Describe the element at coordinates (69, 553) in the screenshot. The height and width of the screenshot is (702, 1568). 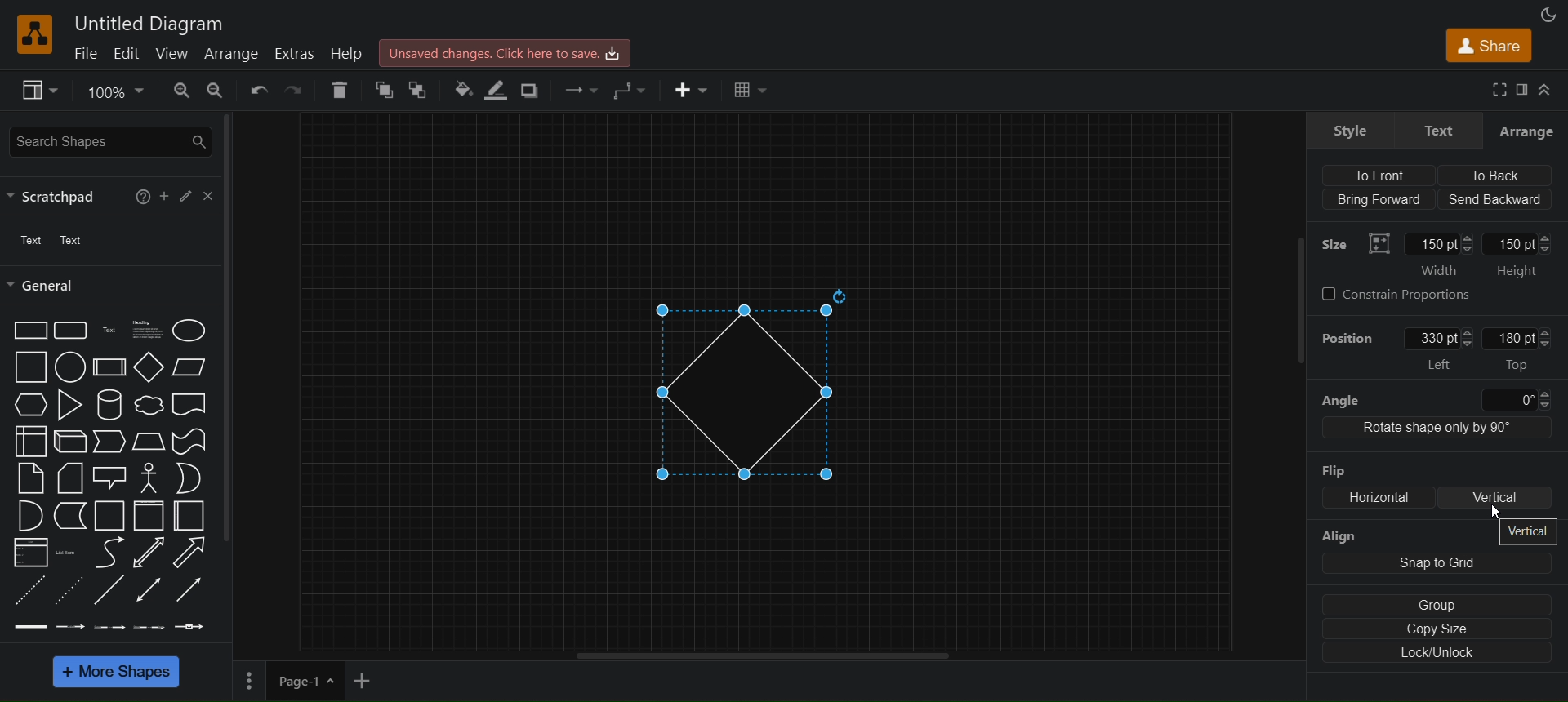
I see `item list` at that location.